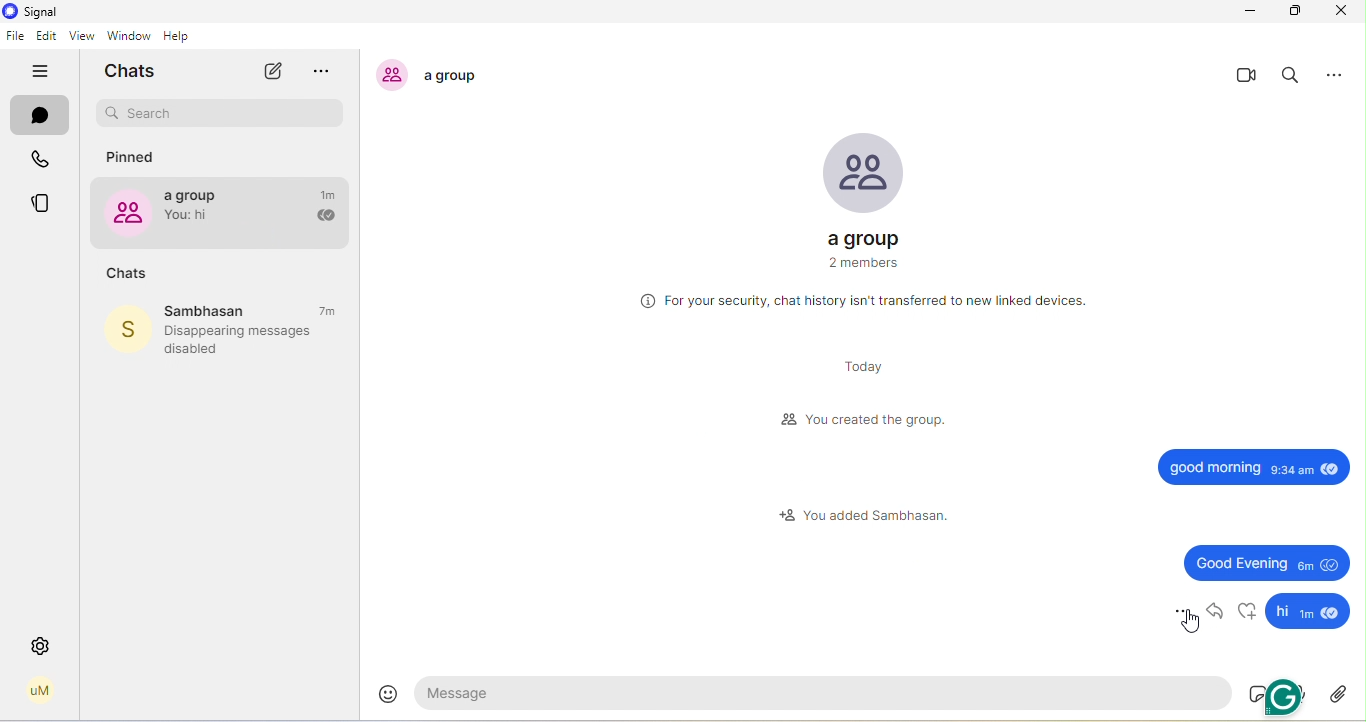 The height and width of the screenshot is (722, 1366). I want to click on search bar, so click(221, 114).